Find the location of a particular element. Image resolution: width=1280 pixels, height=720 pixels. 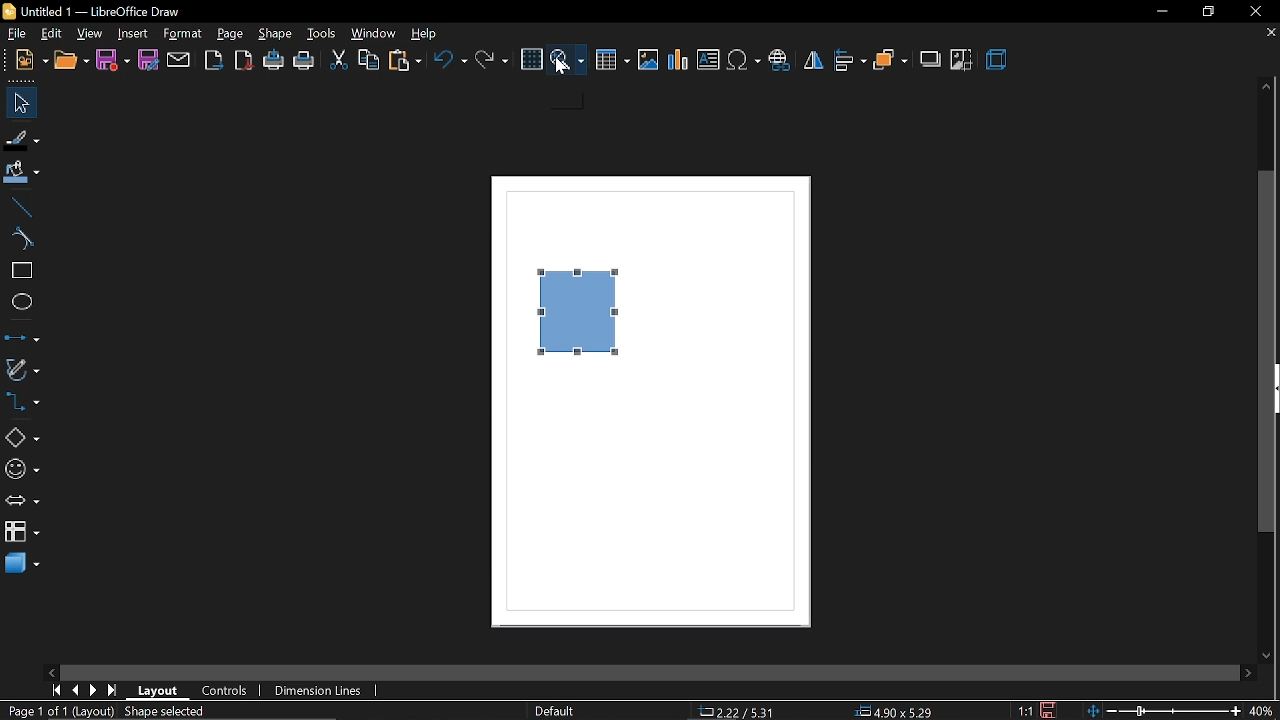

print directly is located at coordinates (274, 61).